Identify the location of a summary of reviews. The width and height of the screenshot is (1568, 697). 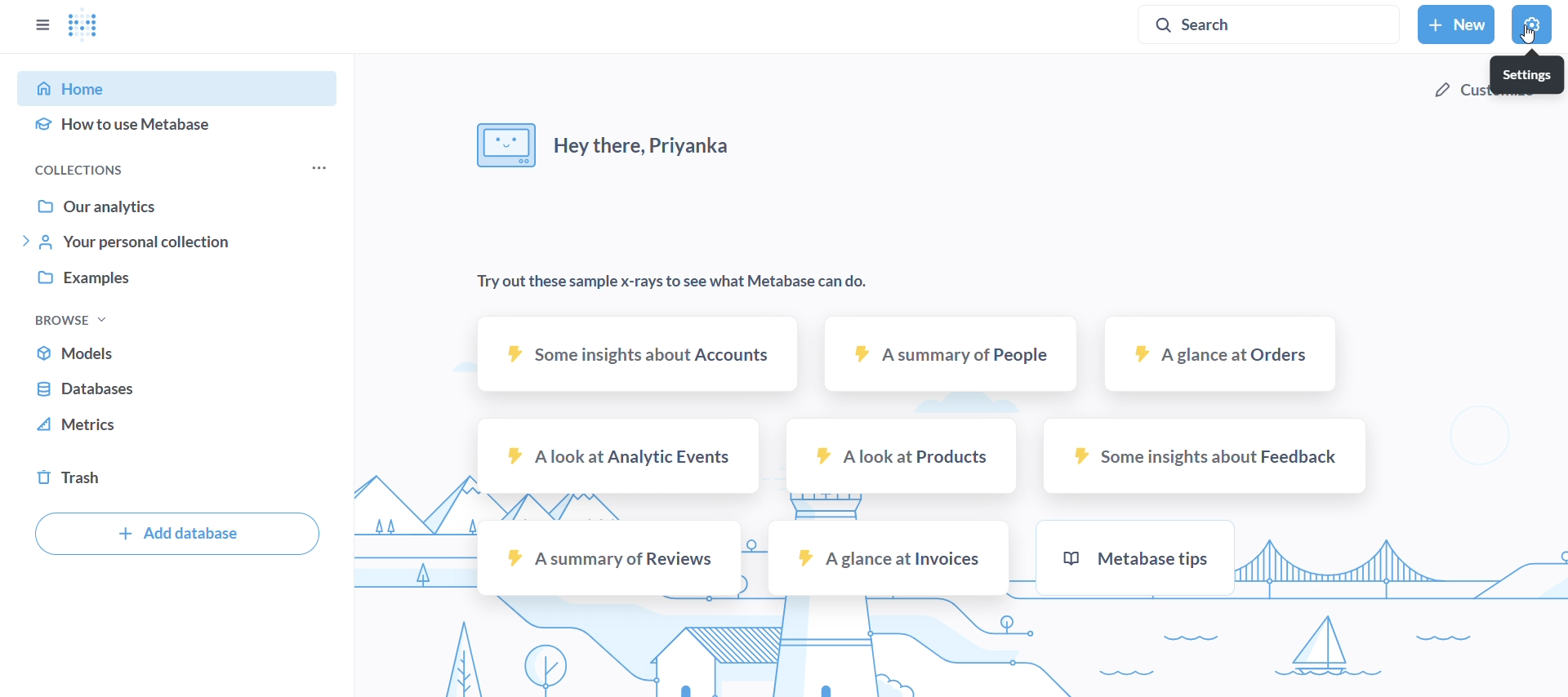
(608, 557).